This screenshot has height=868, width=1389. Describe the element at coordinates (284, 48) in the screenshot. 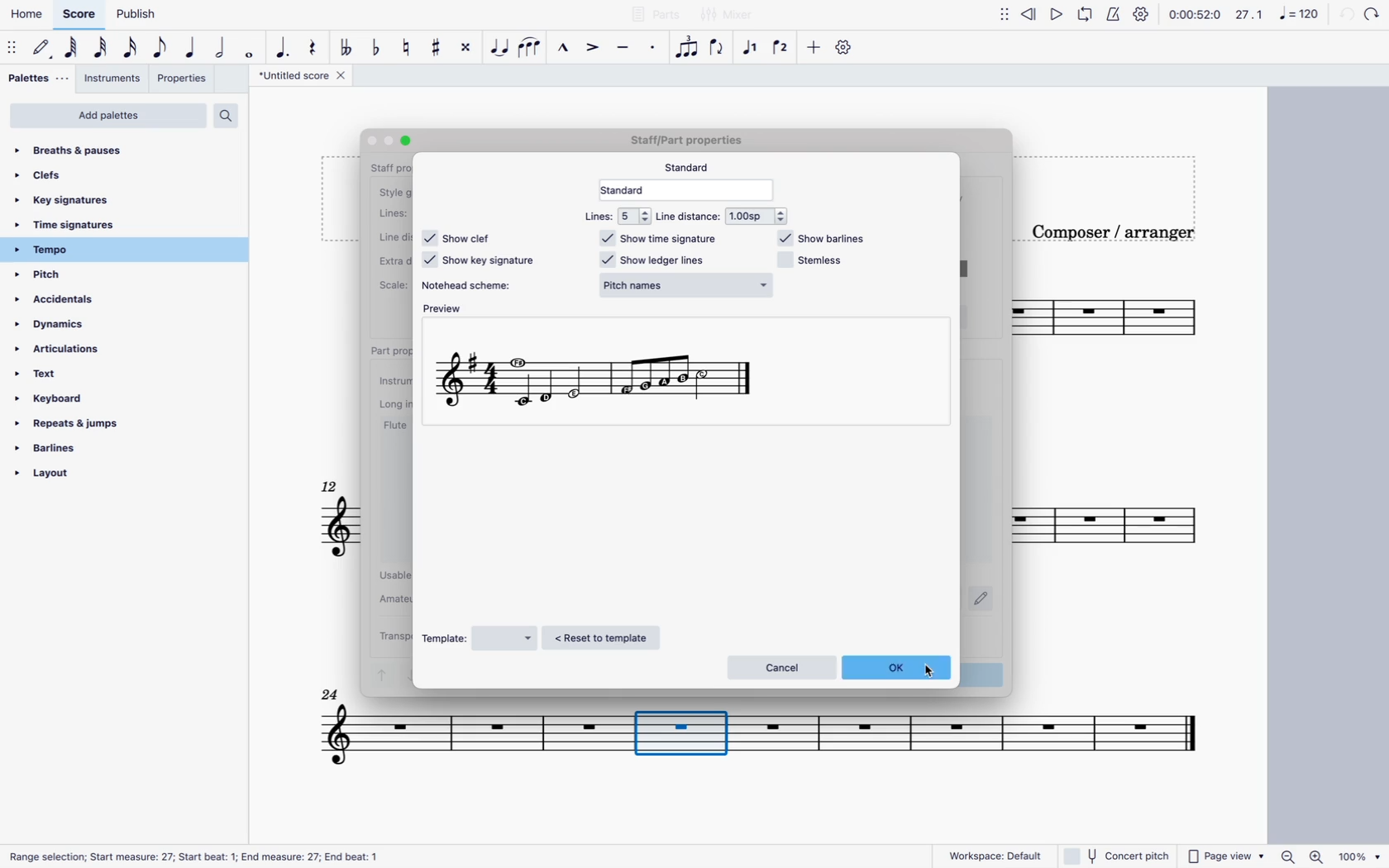

I see `augmentative dot` at that location.